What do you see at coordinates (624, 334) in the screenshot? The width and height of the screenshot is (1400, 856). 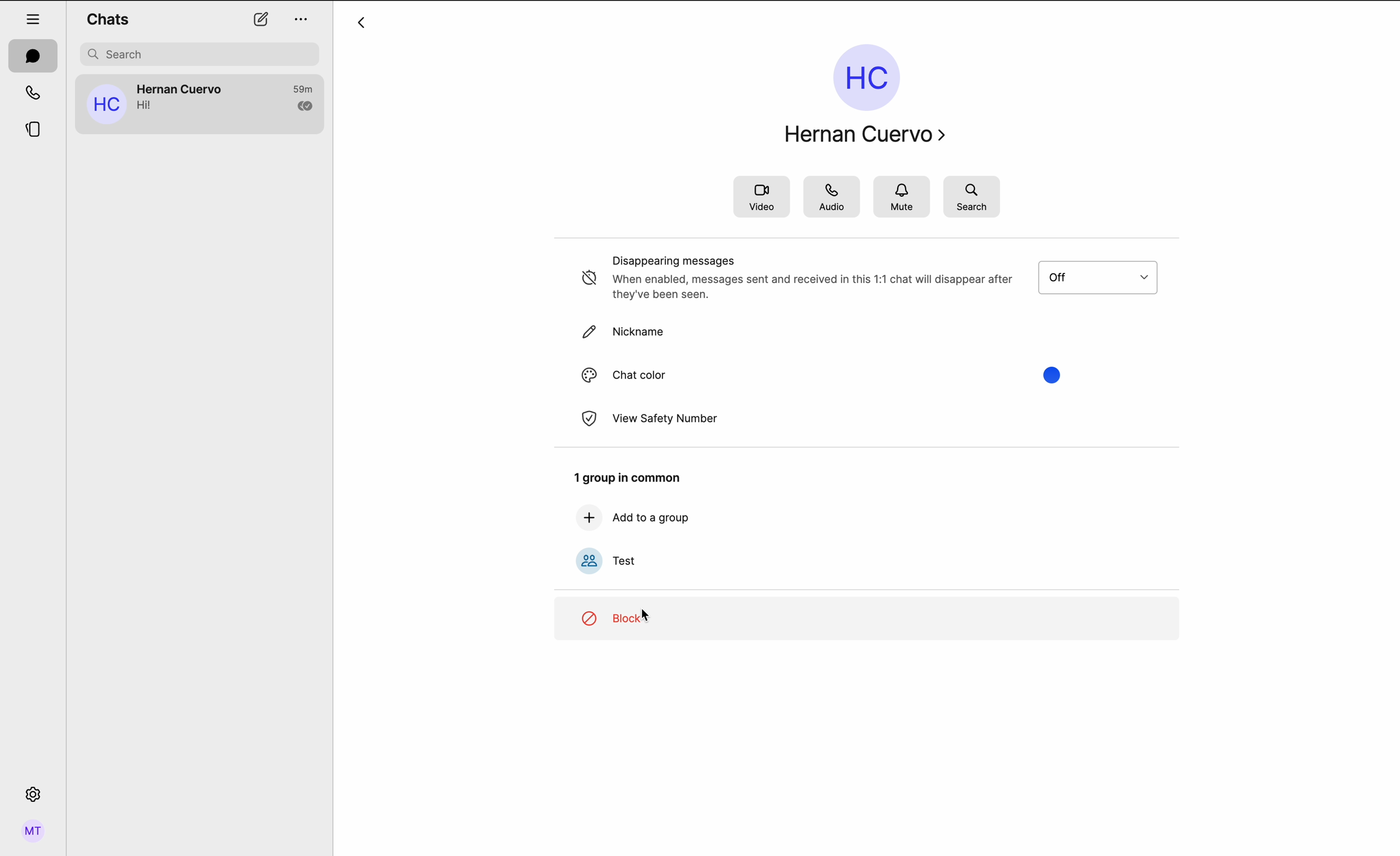 I see `nickname` at bounding box center [624, 334].